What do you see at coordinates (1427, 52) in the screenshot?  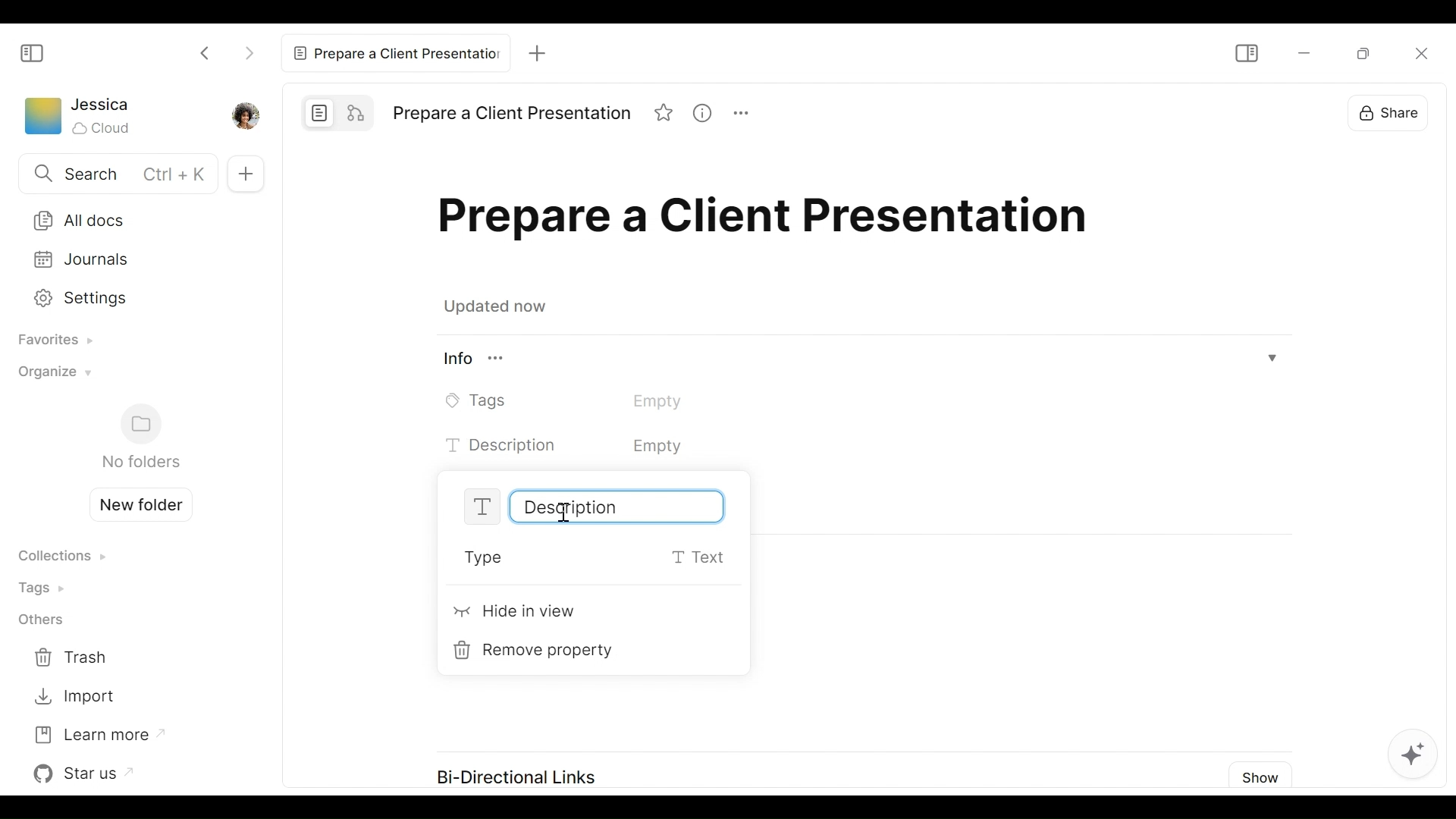 I see `Close` at bounding box center [1427, 52].